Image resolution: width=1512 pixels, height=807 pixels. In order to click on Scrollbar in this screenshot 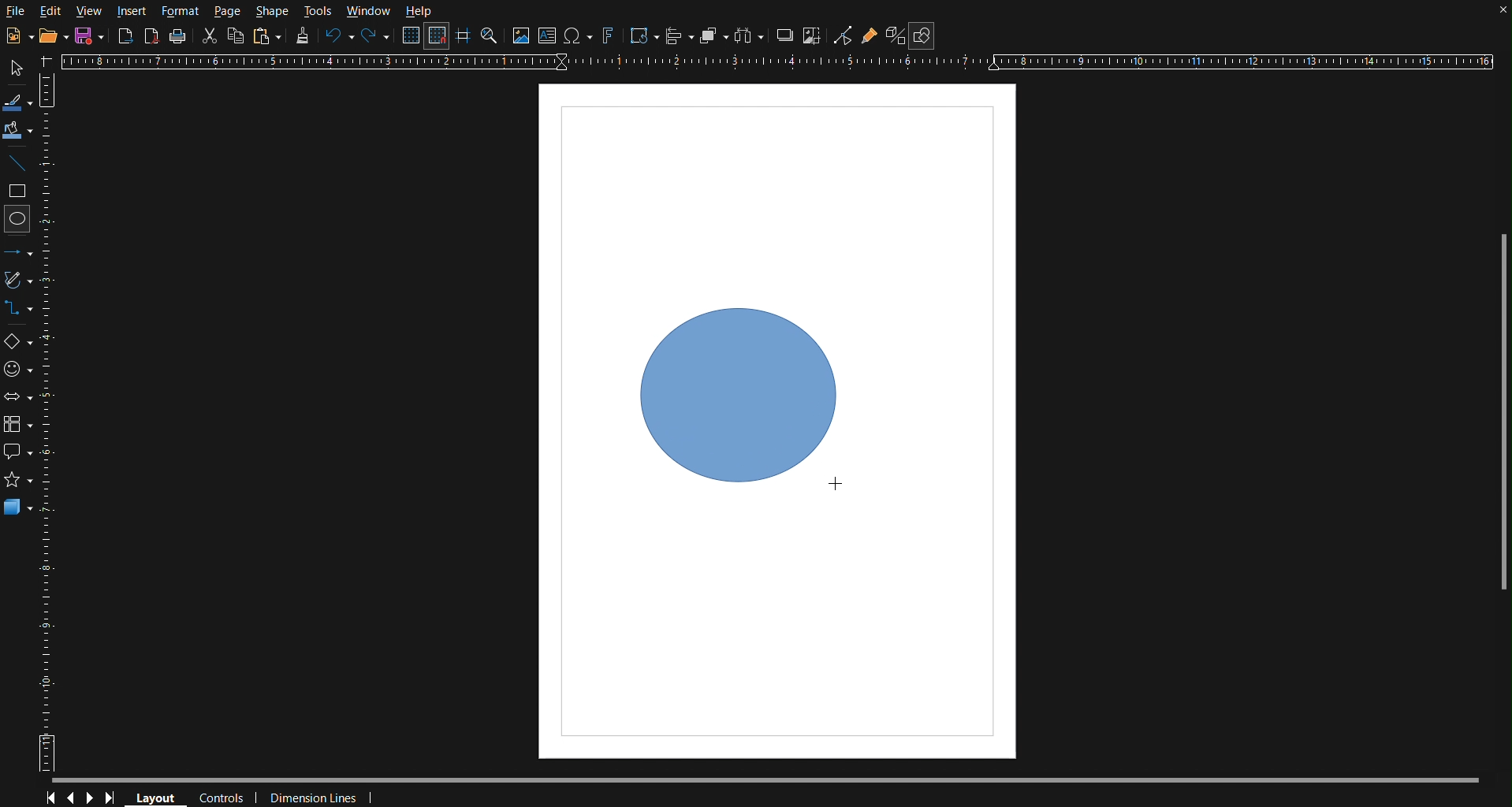, I will do `click(1497, 407)`.